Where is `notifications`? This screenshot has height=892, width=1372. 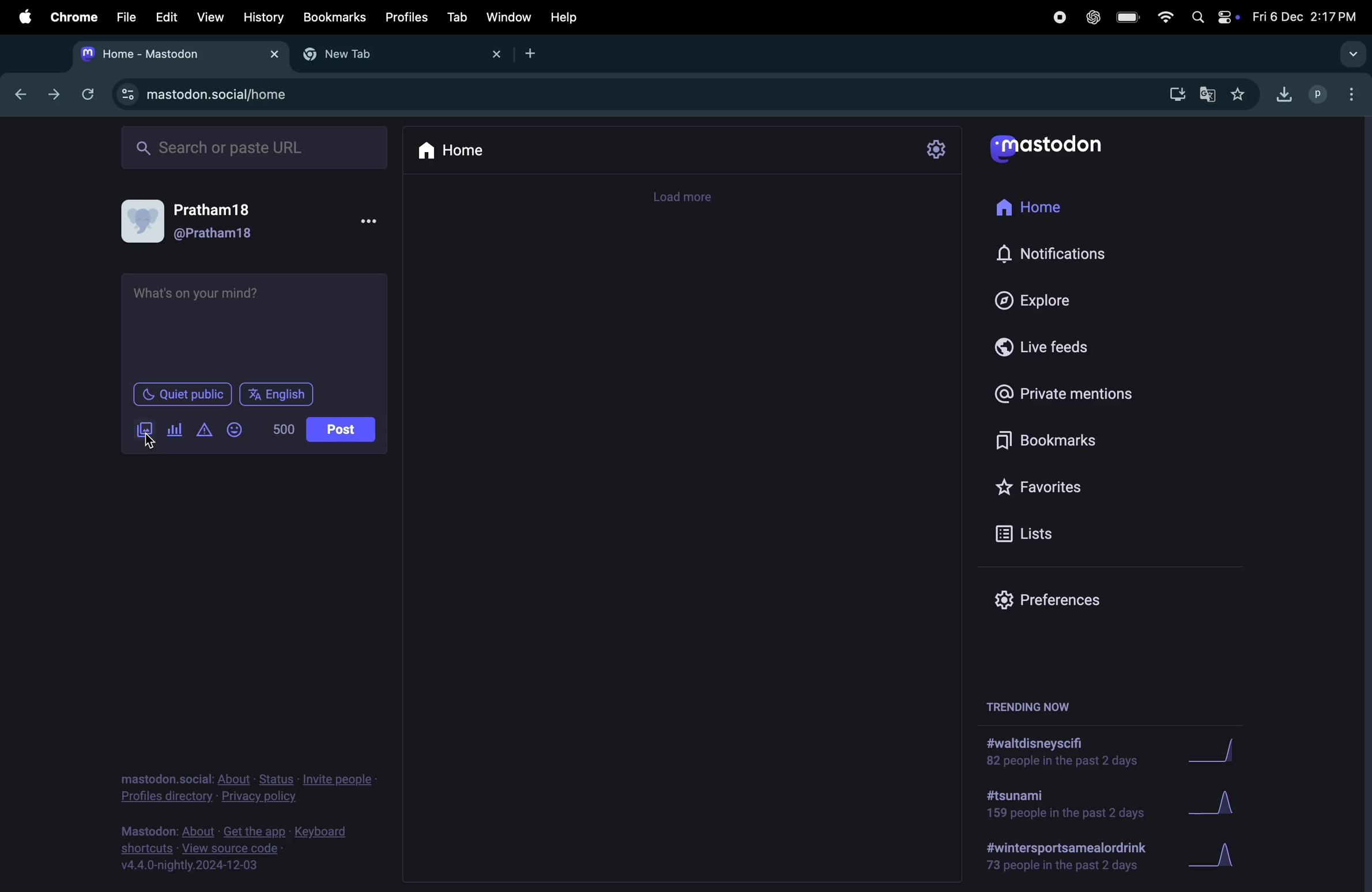 notifications is located at coordinates (1056, 254).